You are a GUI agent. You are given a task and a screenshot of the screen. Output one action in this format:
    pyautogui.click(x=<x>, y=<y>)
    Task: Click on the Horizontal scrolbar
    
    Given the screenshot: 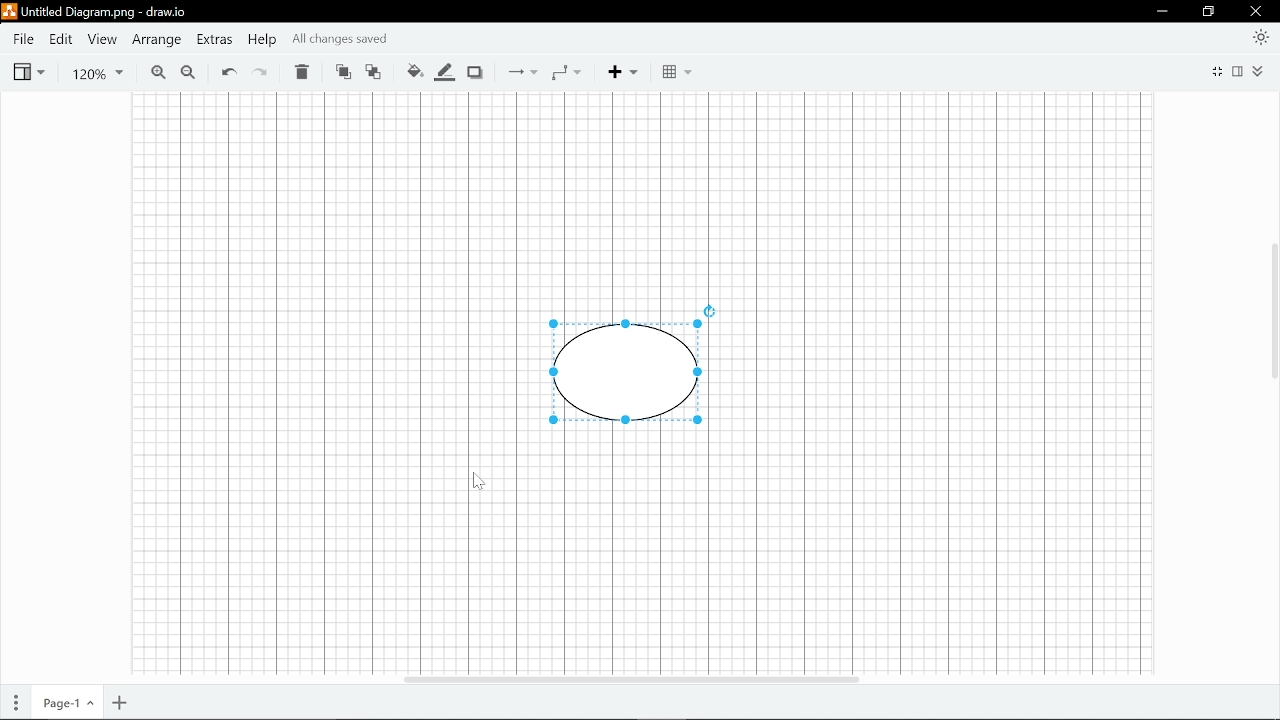 What is the action you would take?
    pyautogui.click(x=630, y=679)
    